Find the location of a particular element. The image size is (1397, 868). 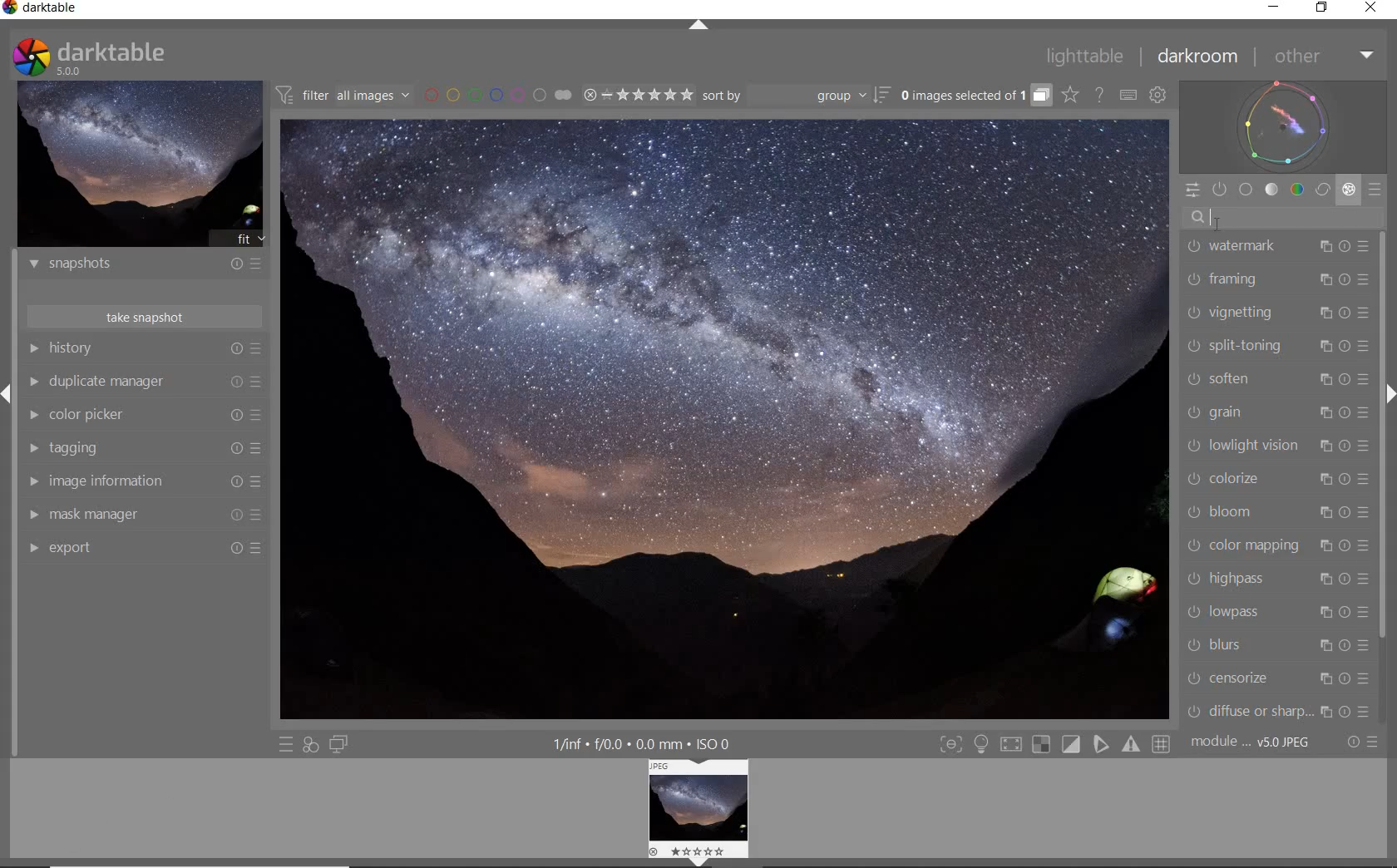

DISPLAY A SECOND DARKROOM IMAGE WINDOW is located at coordinates (338, 745).